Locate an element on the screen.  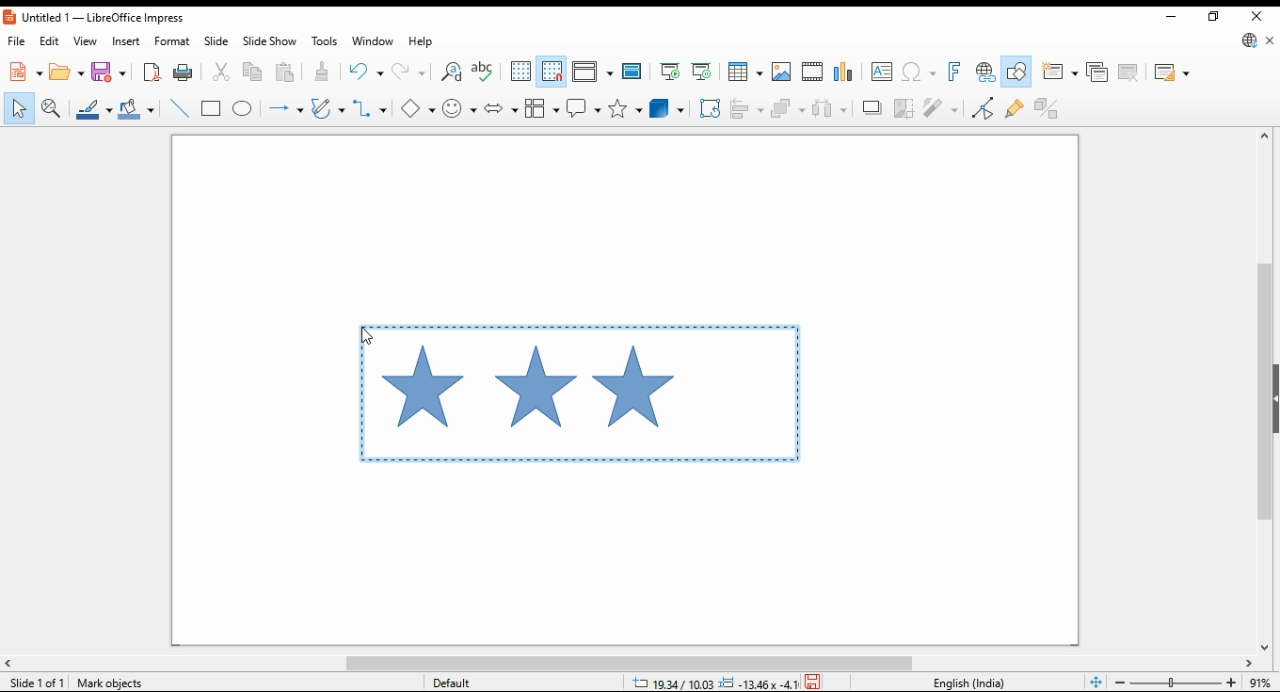
symbol shapes is located at coordinates (459, 108).